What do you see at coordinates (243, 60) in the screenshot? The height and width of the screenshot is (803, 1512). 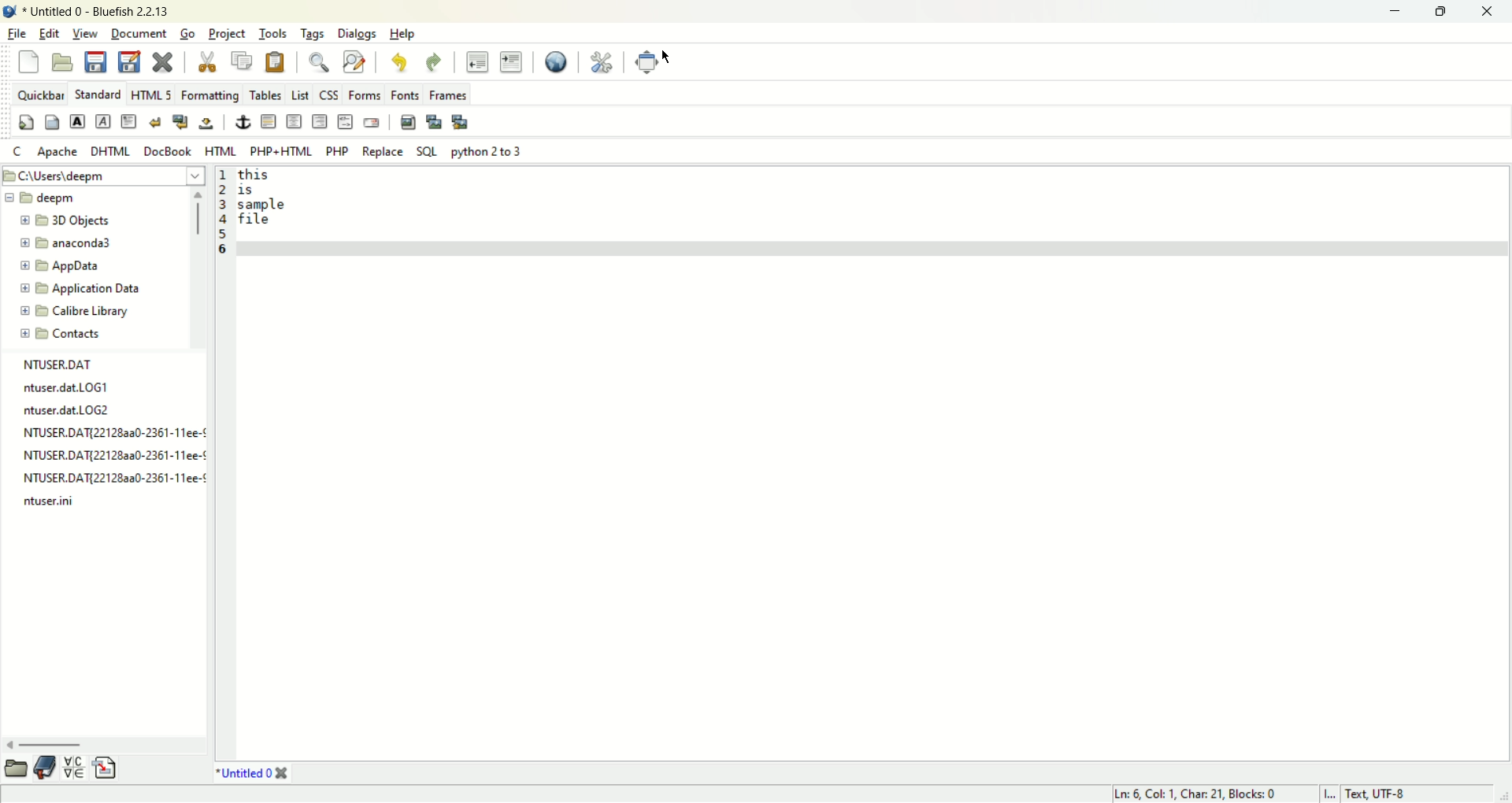 I see `copy` at bounding box center [243, 60].